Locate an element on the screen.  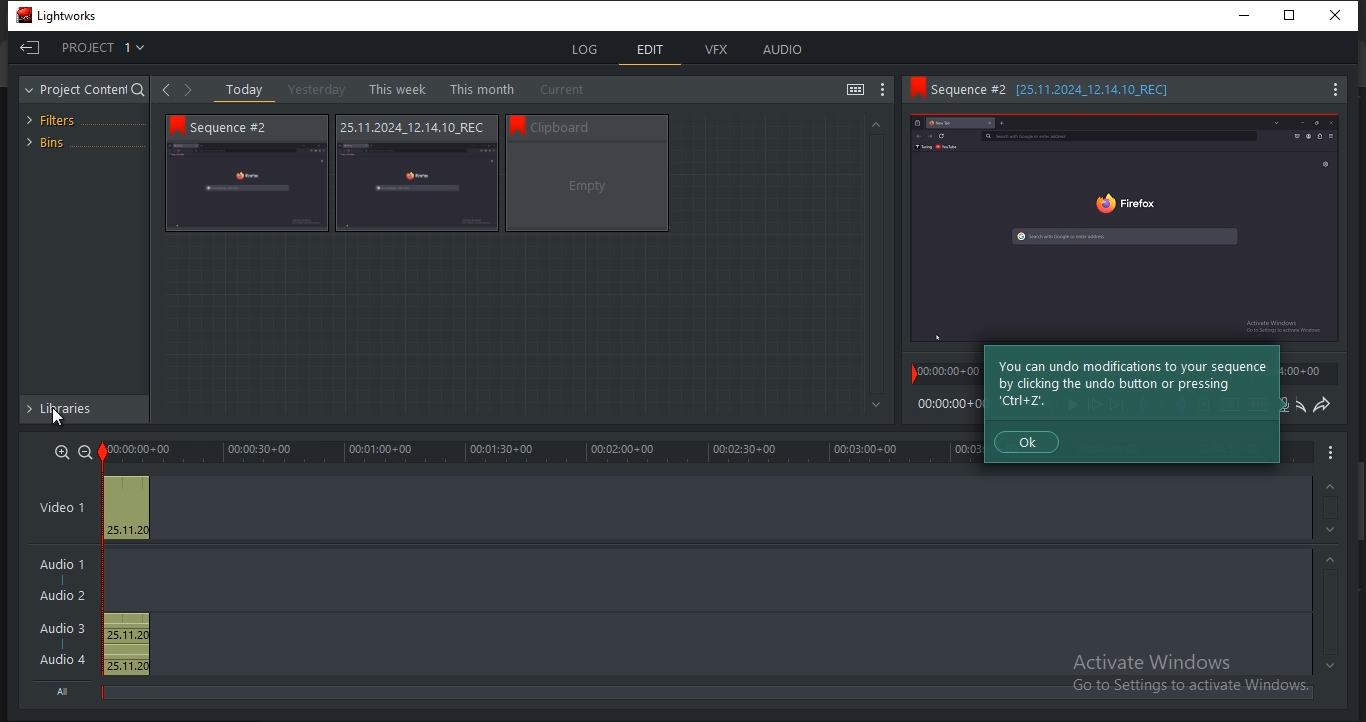
undo is located at coordinates (1298, 405).